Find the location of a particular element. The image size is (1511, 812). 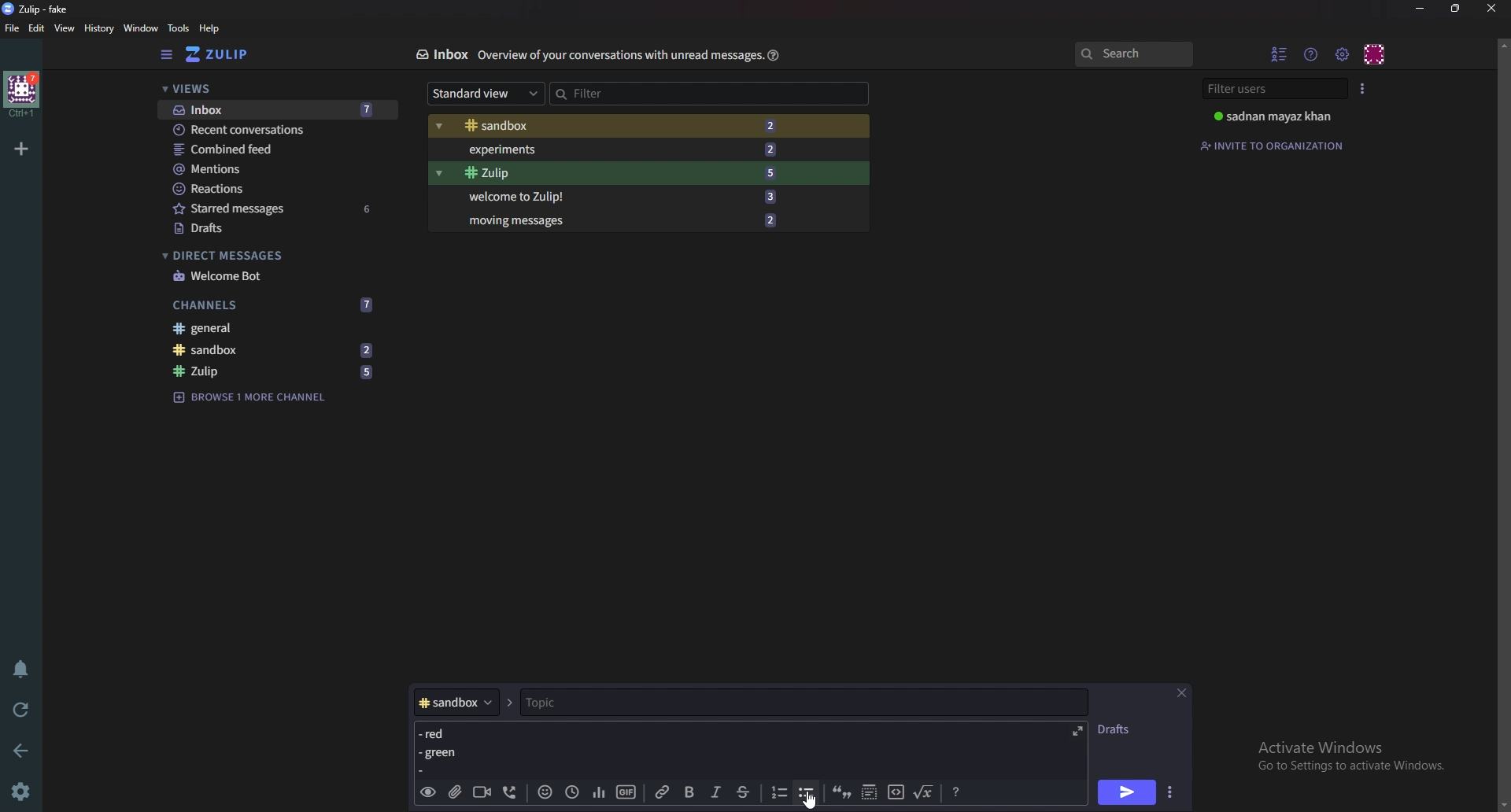

Mentions is located at coordinates (276, 169).